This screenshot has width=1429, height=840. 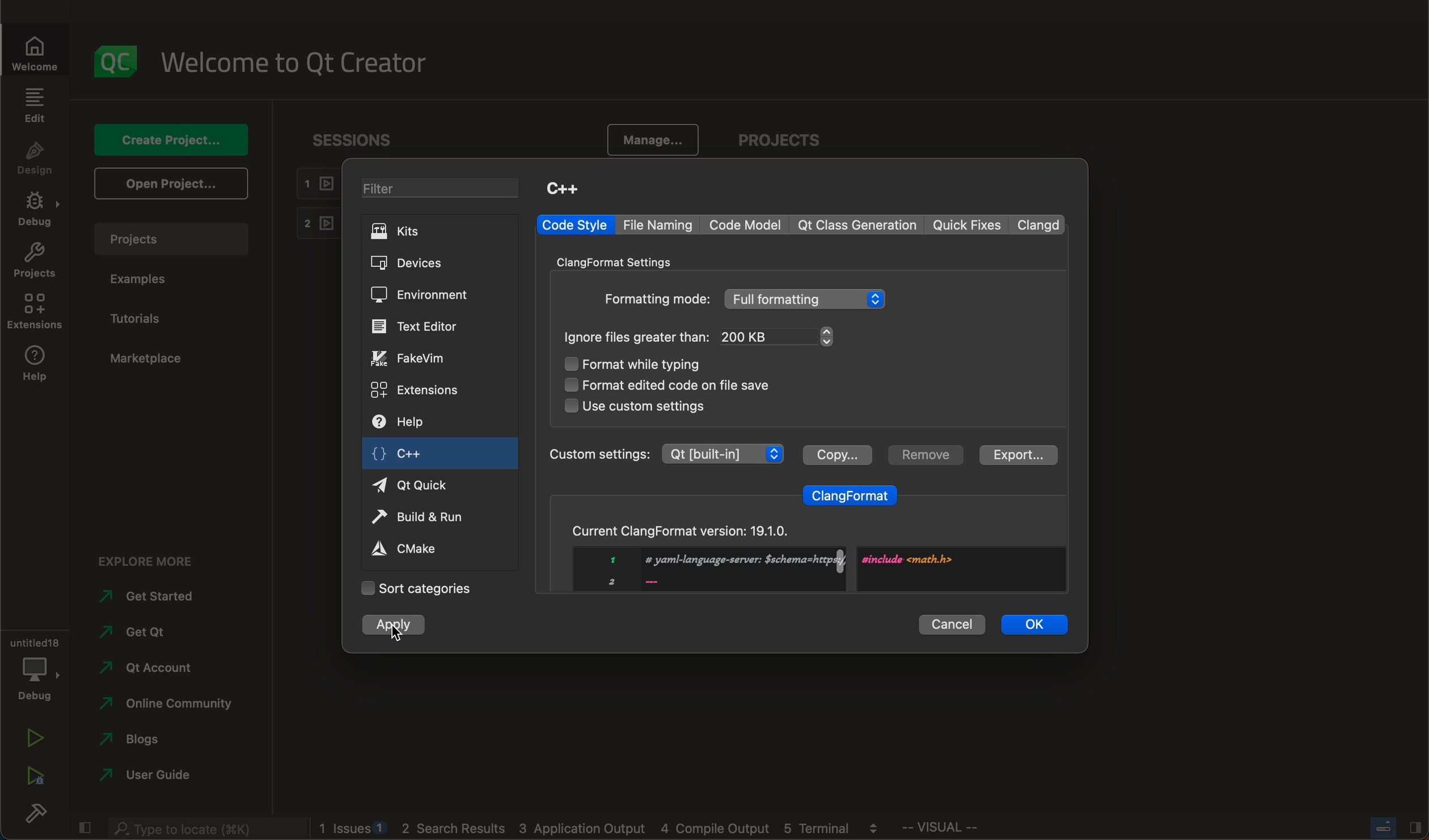 I want to click on debug, so click(x=38, y=211).